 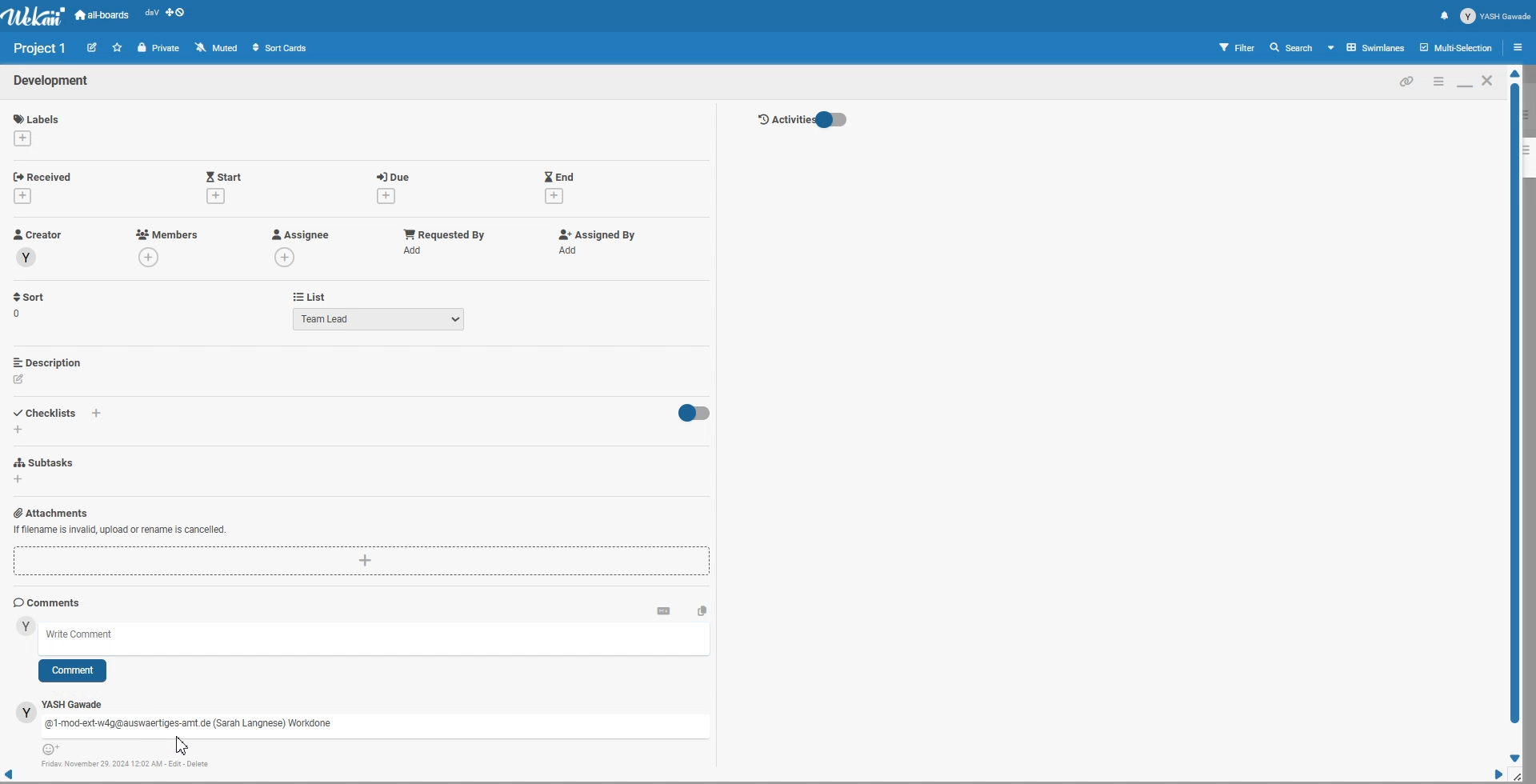 I want to click on Edit, so click(x=92, y=46).